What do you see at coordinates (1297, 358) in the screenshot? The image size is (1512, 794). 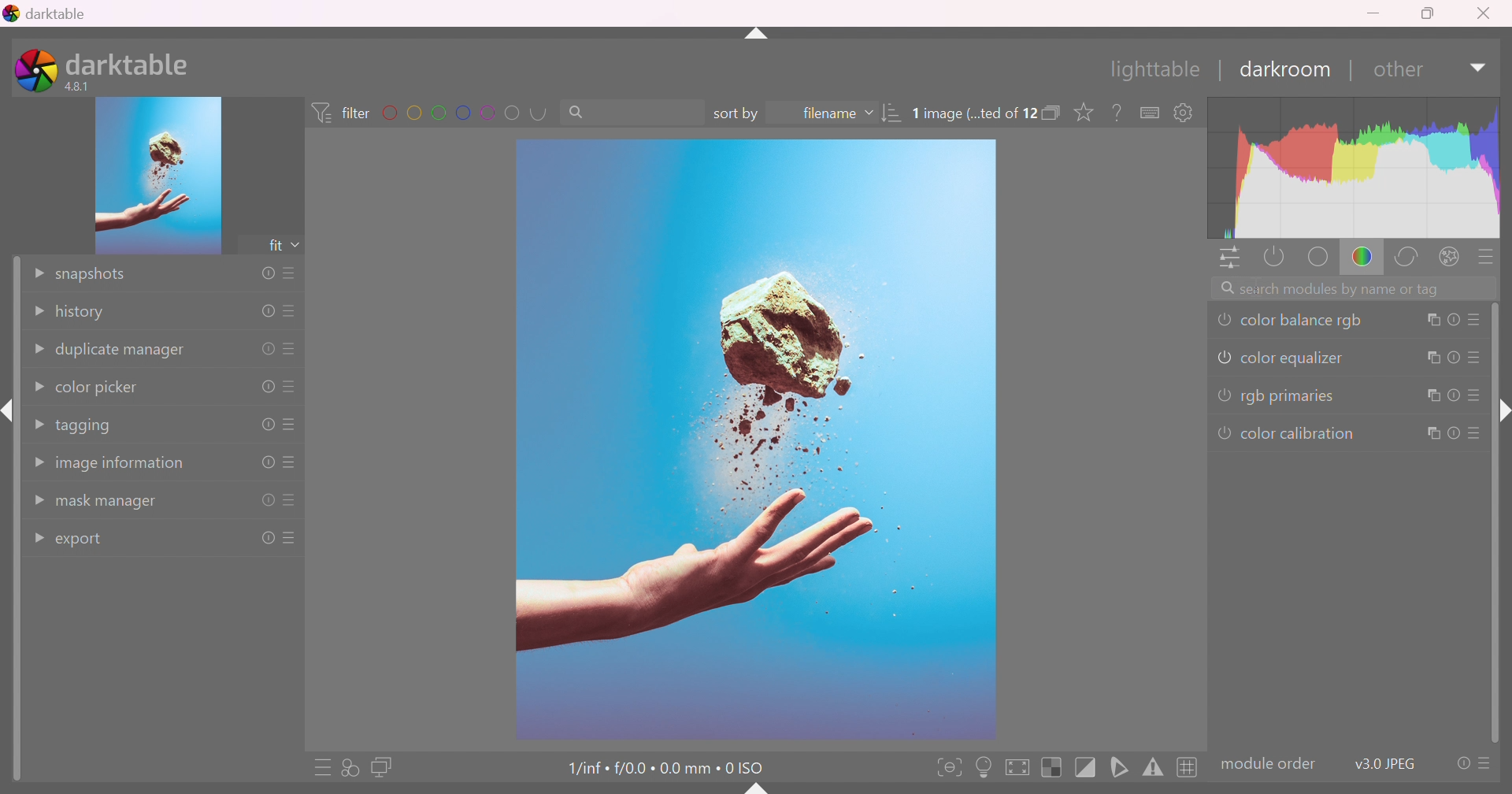 I see `color equilizer` at bounding box center [1297, 358].